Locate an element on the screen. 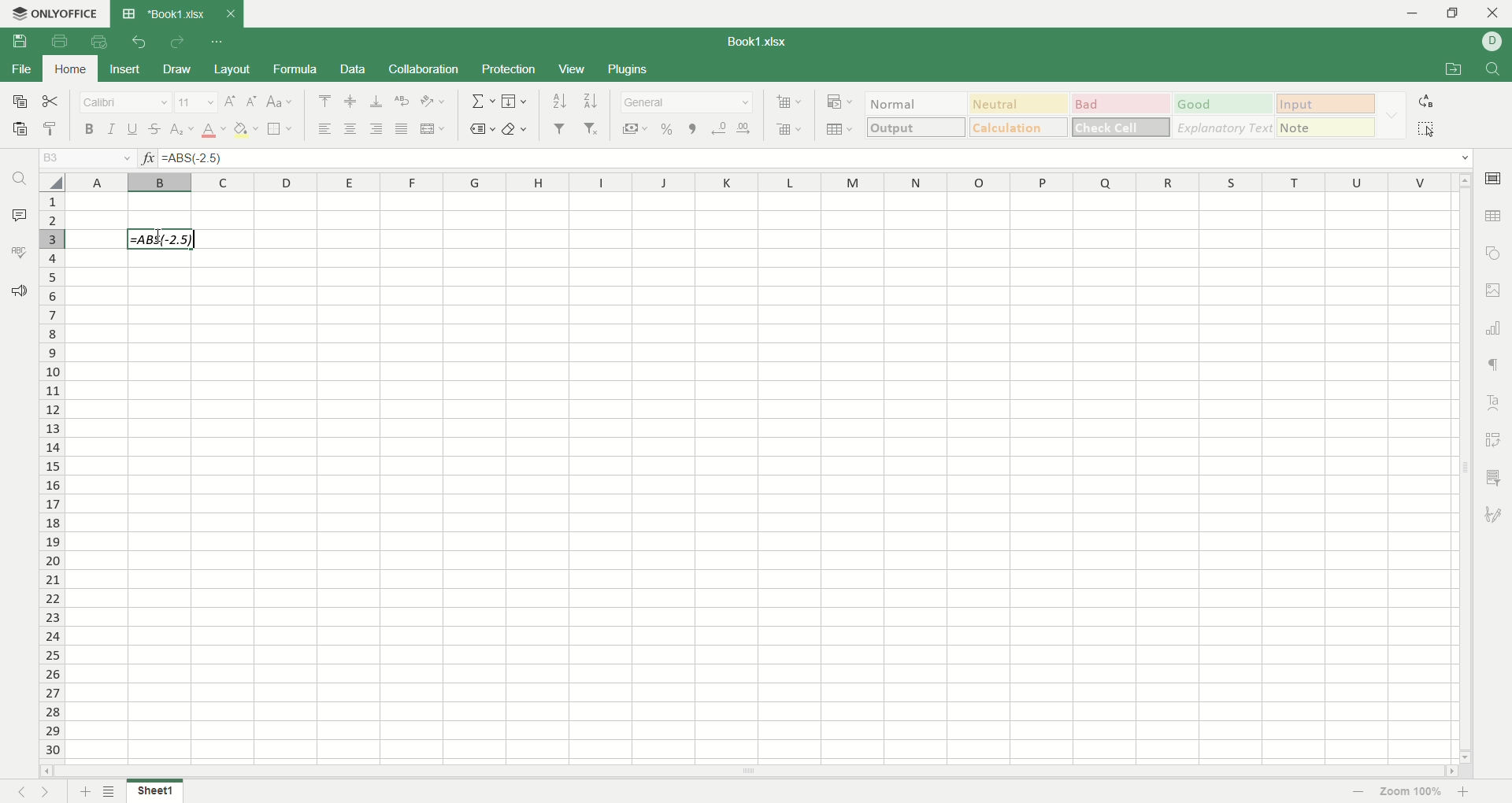 The image size is (1512, 803). collaboration is located at coordinates (425, 68).